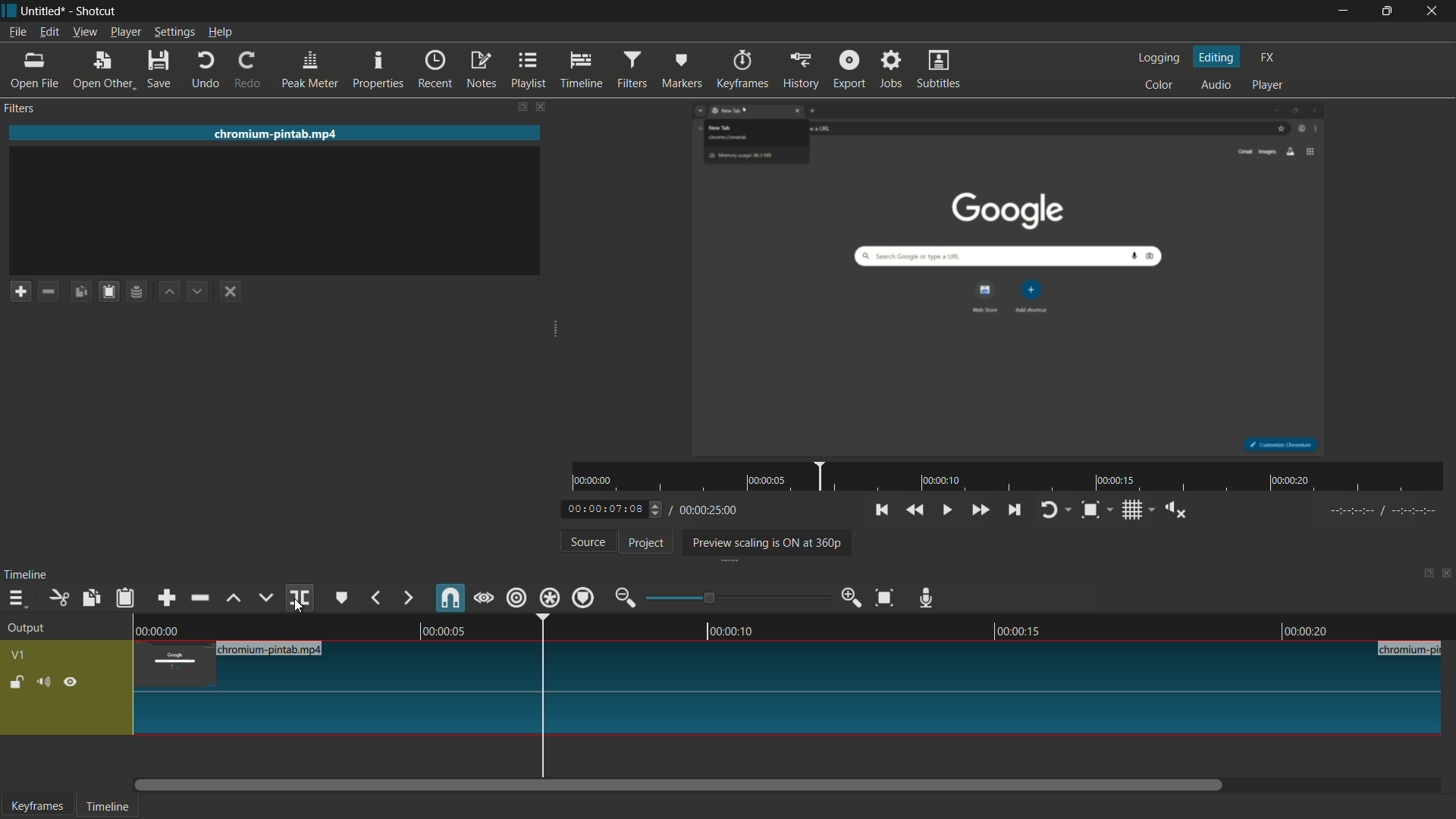 The width and height of the screenshot is (1456, 819). I want to click on app icon, so click(9, 10).